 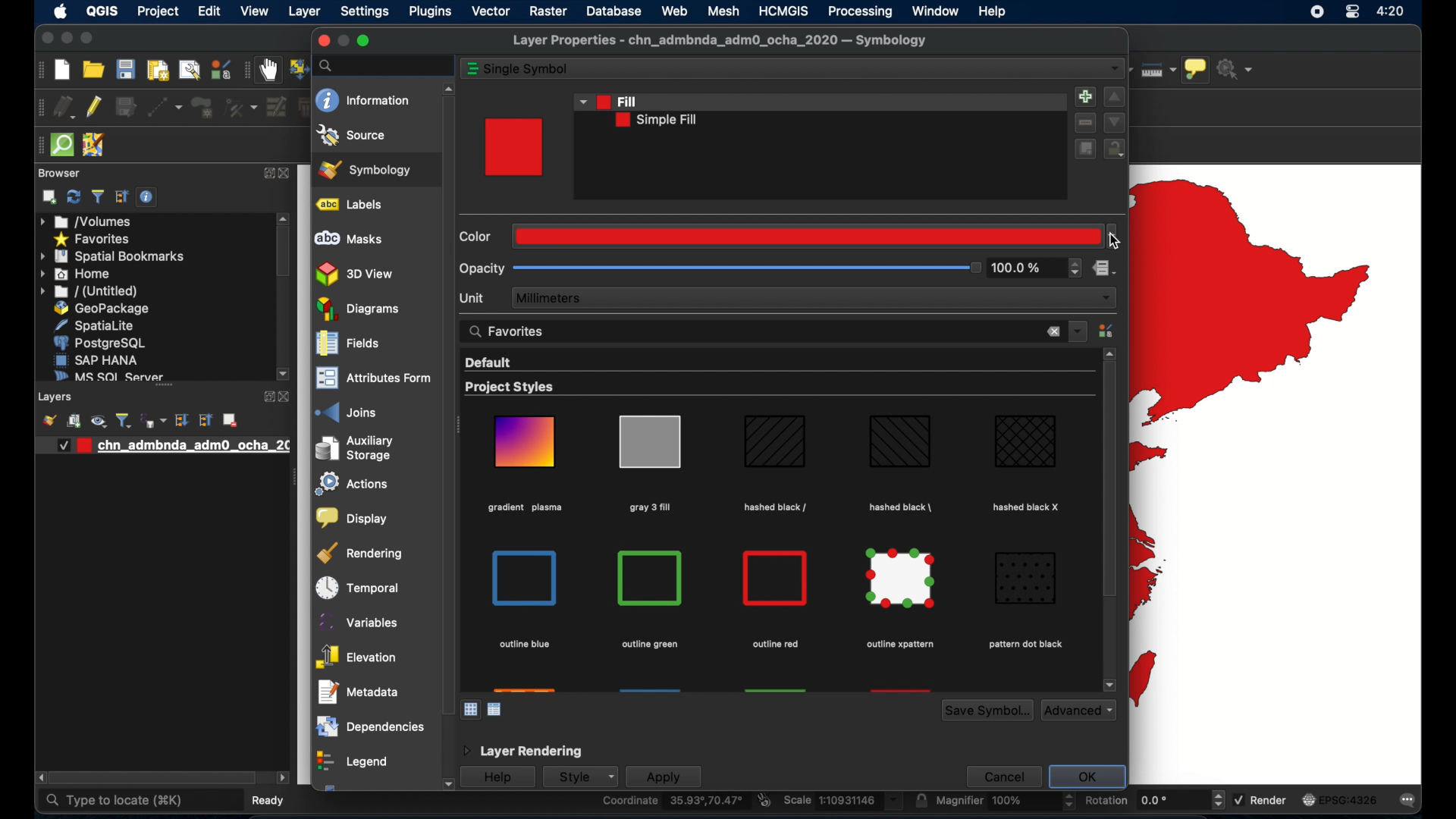 What do you see at coordinates (87, 221) in the screenshot?
I see `volumes menu` at bounding box center [87, 221].